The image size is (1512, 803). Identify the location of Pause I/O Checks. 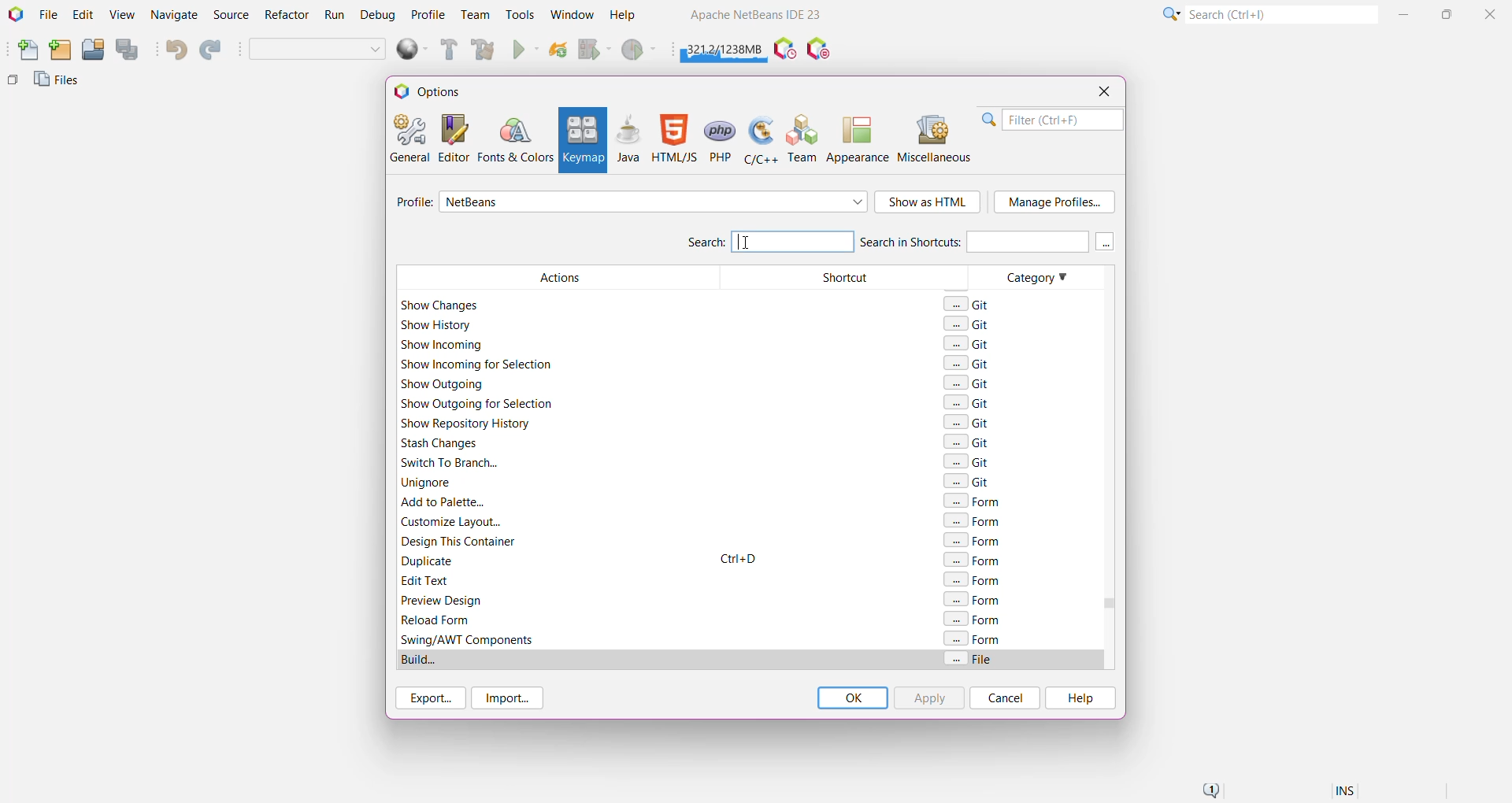
(820, 50).